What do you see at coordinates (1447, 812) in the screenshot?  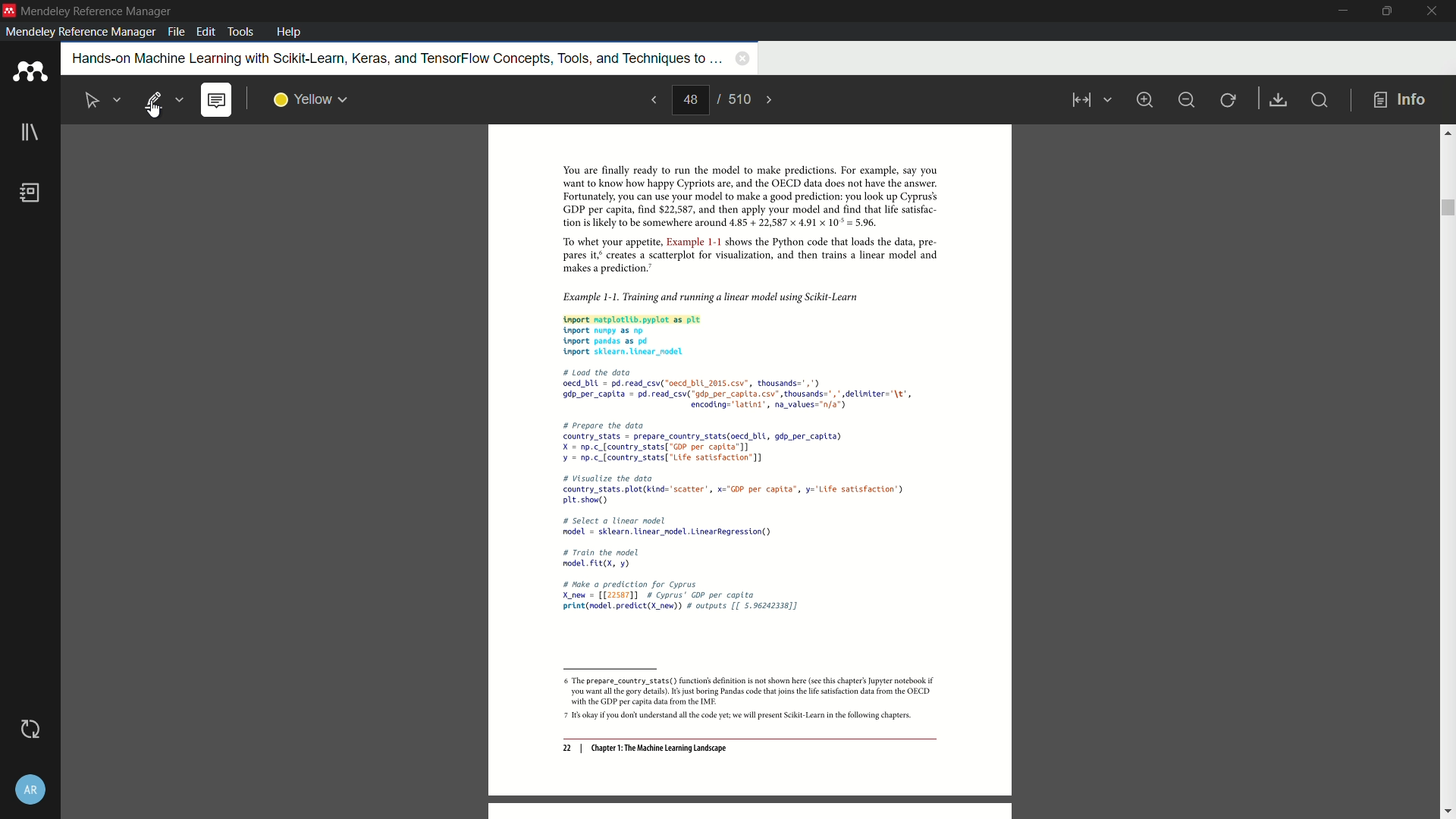 I see `scroll down` at bounding box center [1447, 812].